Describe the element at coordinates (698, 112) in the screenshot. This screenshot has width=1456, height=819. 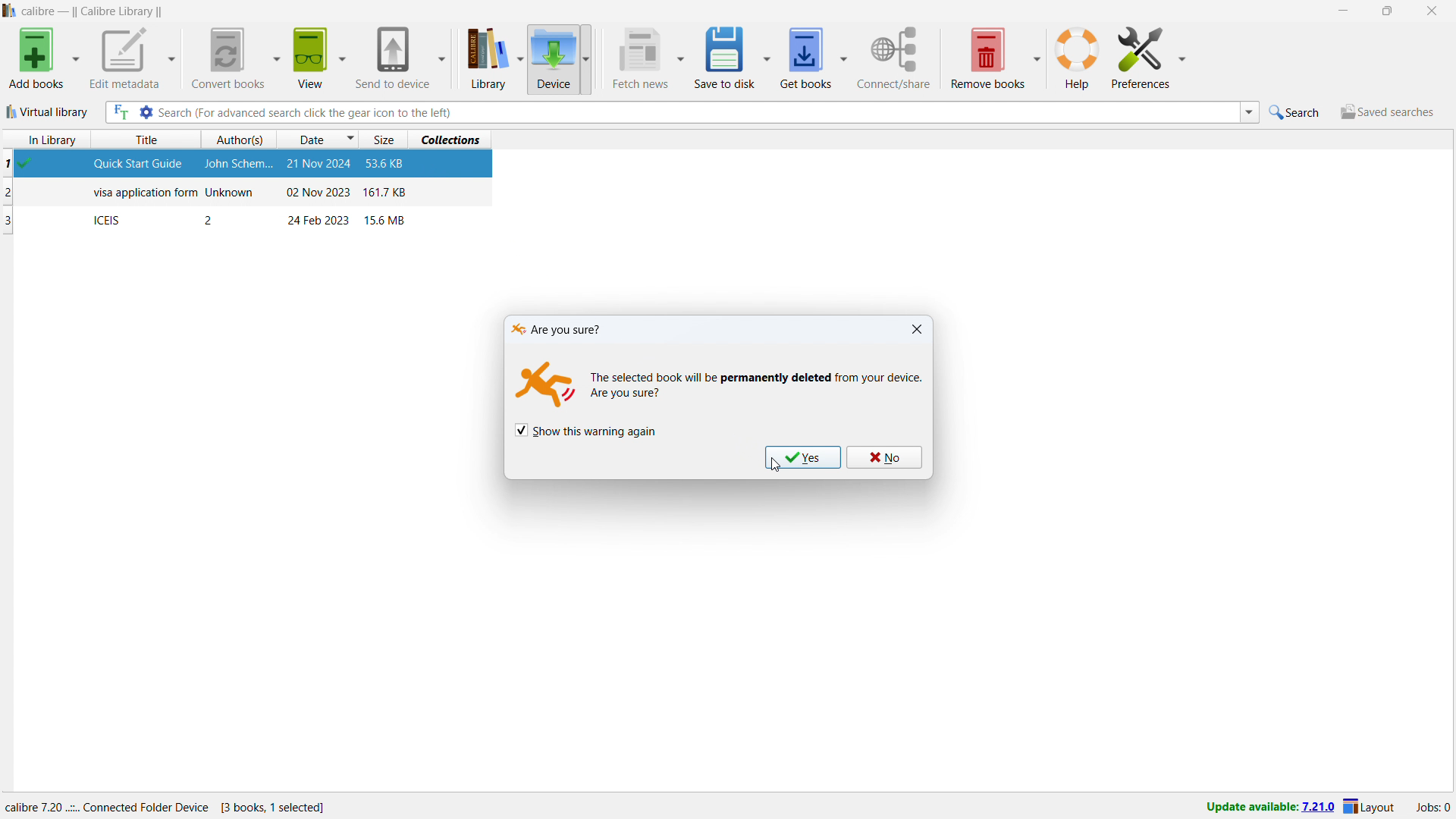
I see `enter search string` at that location.